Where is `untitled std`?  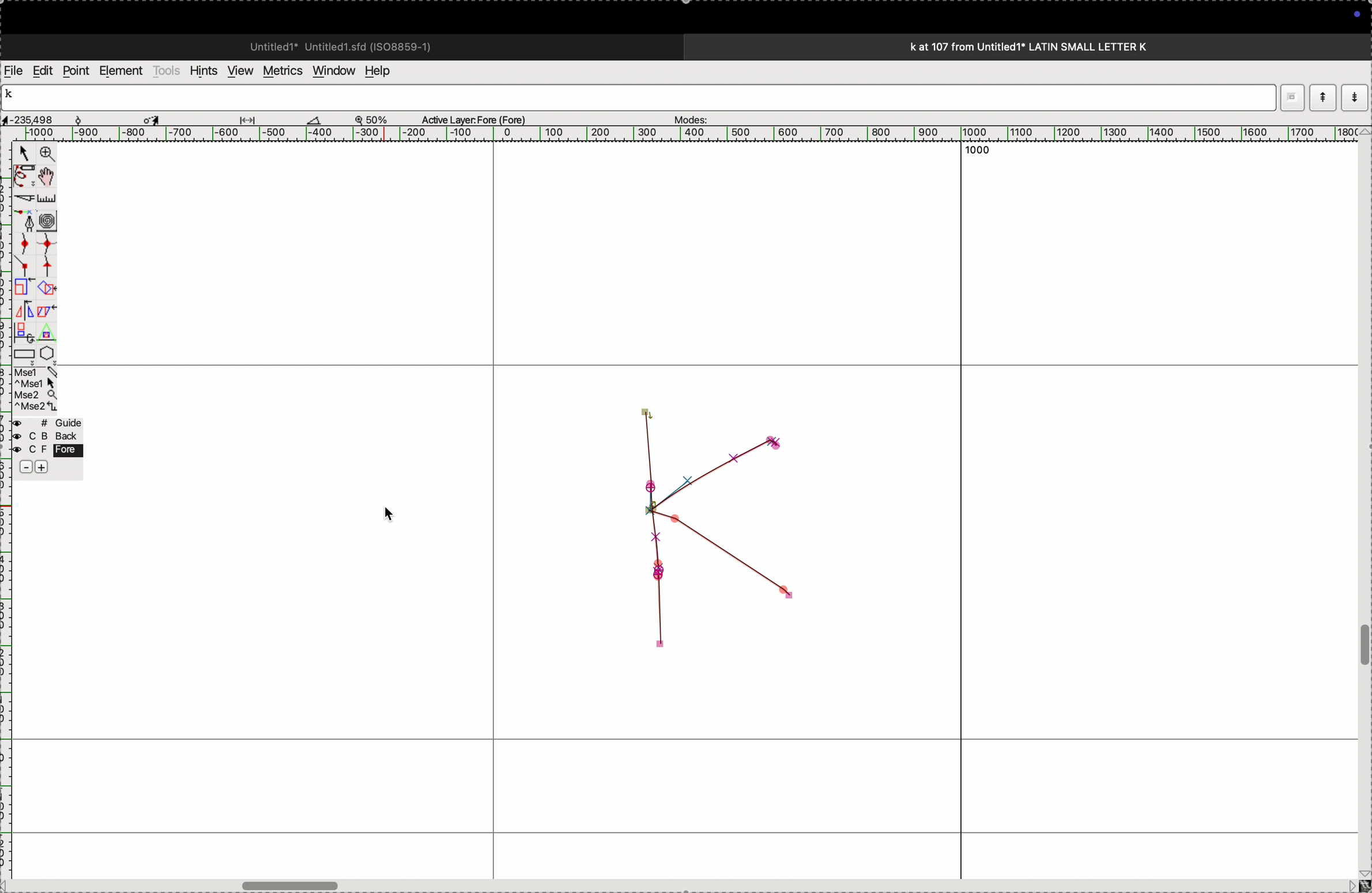 untitled std is located at coordinates (345, 46).